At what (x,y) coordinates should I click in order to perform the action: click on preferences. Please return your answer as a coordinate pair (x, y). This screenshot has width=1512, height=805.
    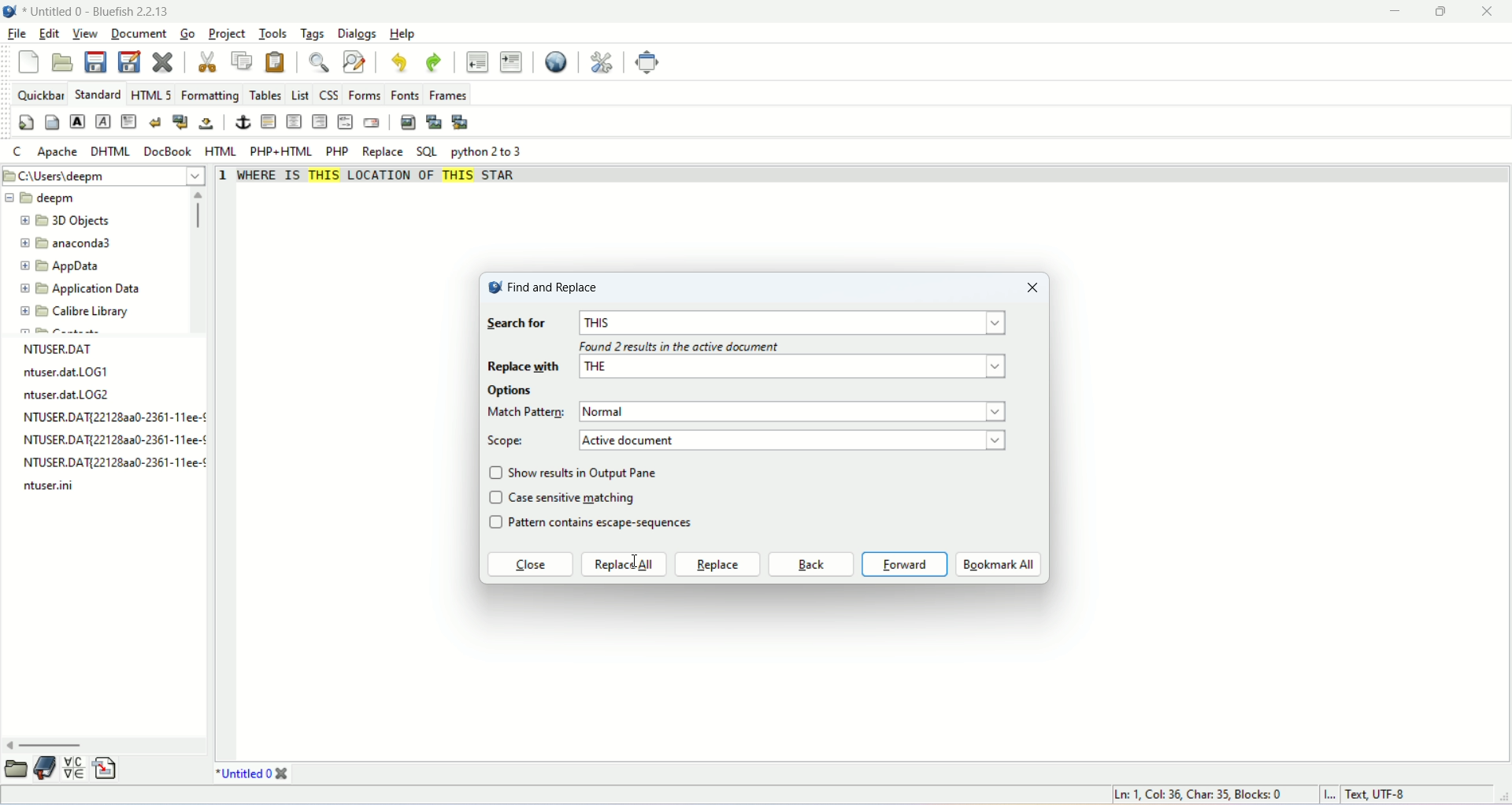
    Looking at the image, I should click on (602, 63).